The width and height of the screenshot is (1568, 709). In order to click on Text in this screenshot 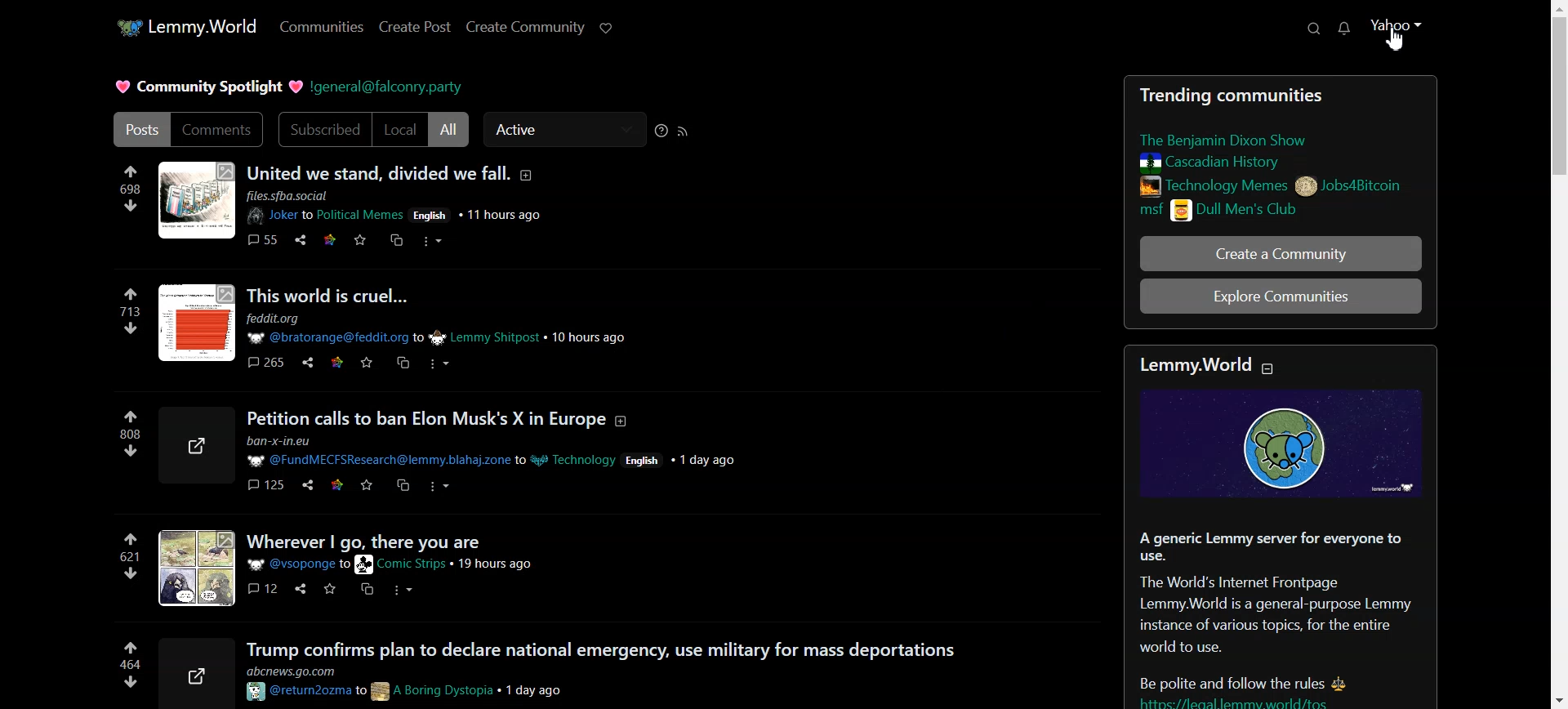, I will do `click(1281, 529)`.